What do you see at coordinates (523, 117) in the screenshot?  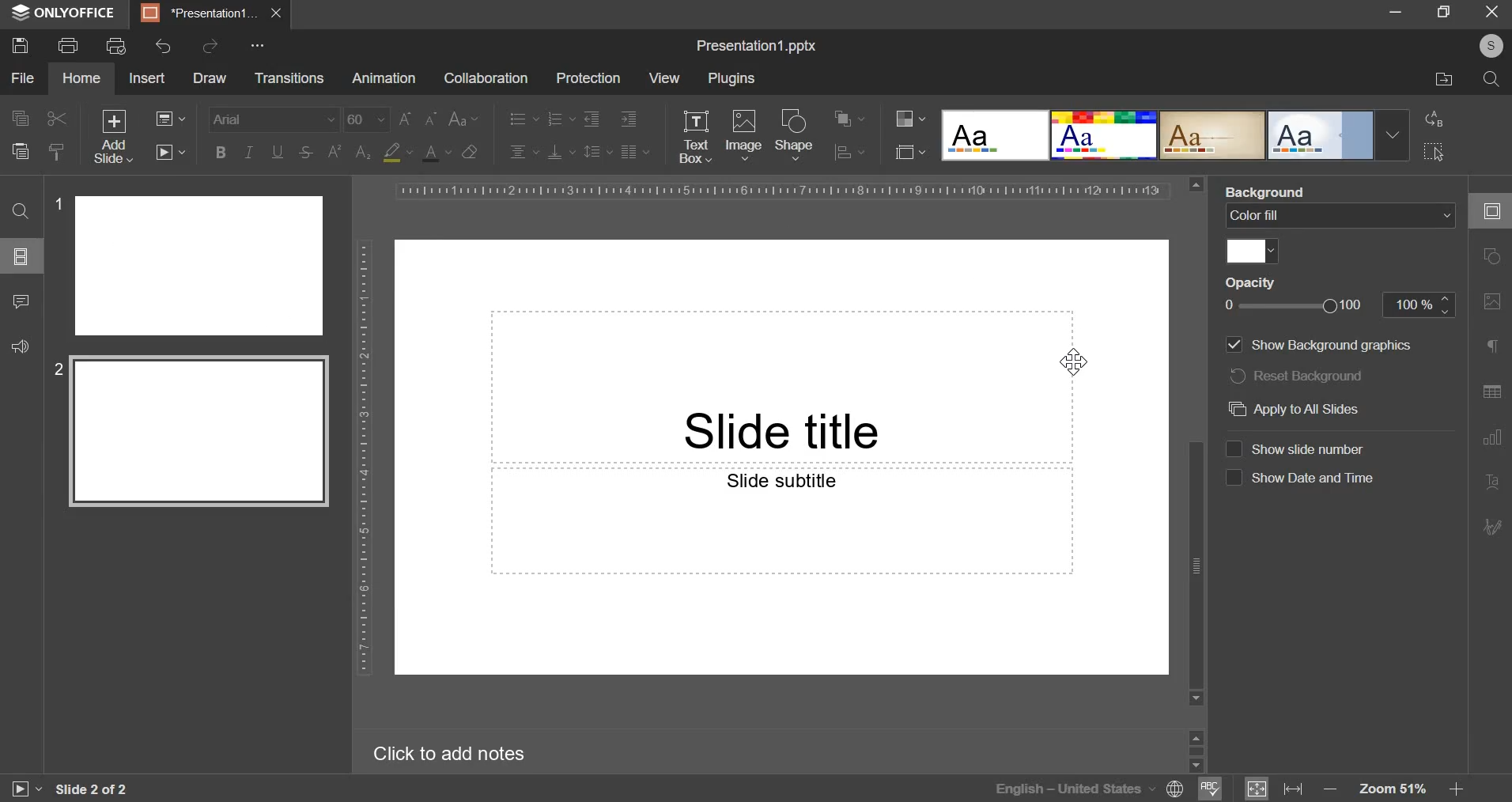 I see `bullet` at bounding box center [523, 117].